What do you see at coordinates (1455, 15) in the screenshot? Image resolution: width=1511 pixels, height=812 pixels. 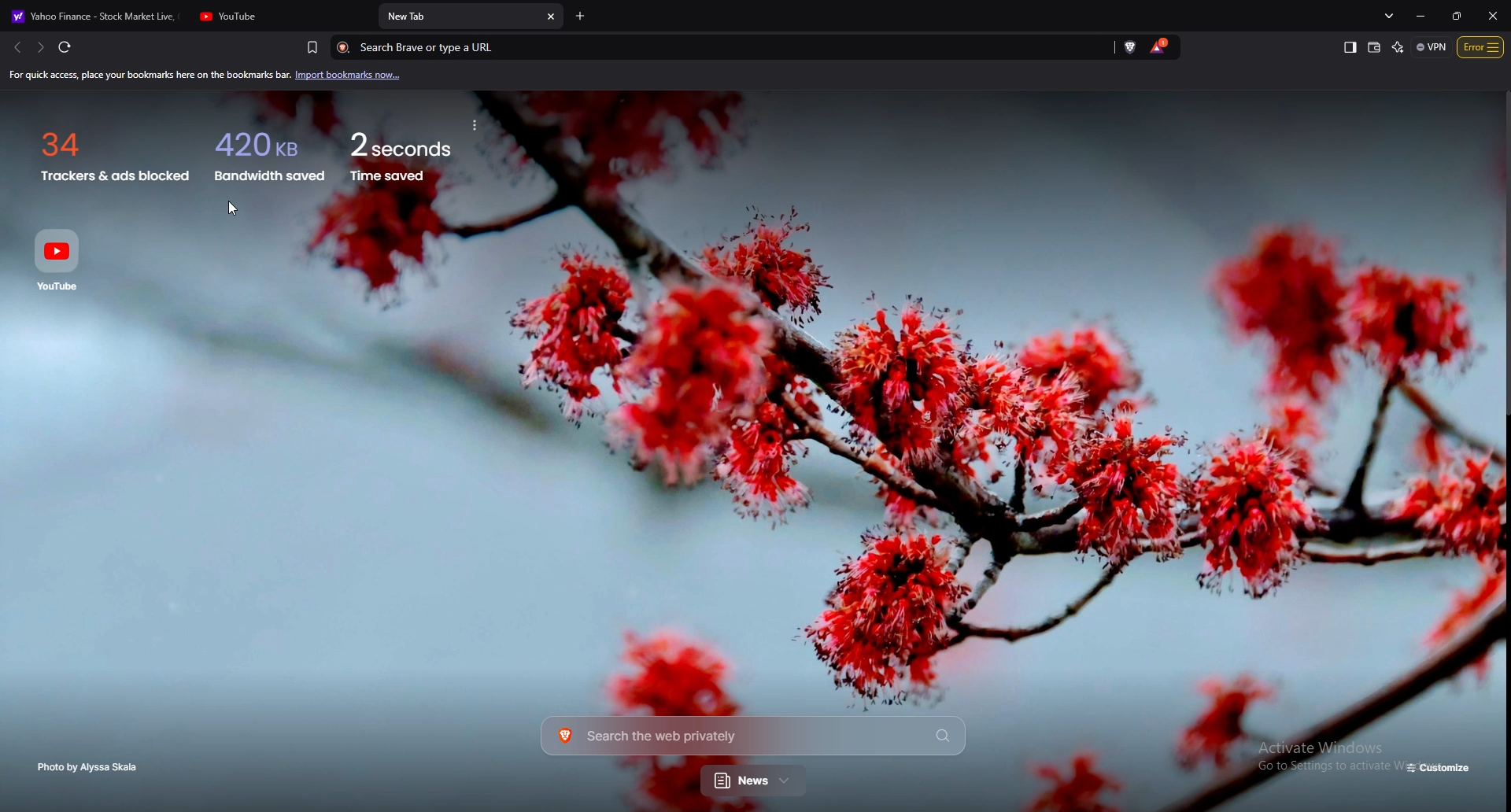 I see `resize` at bounding box center [1455, 15].